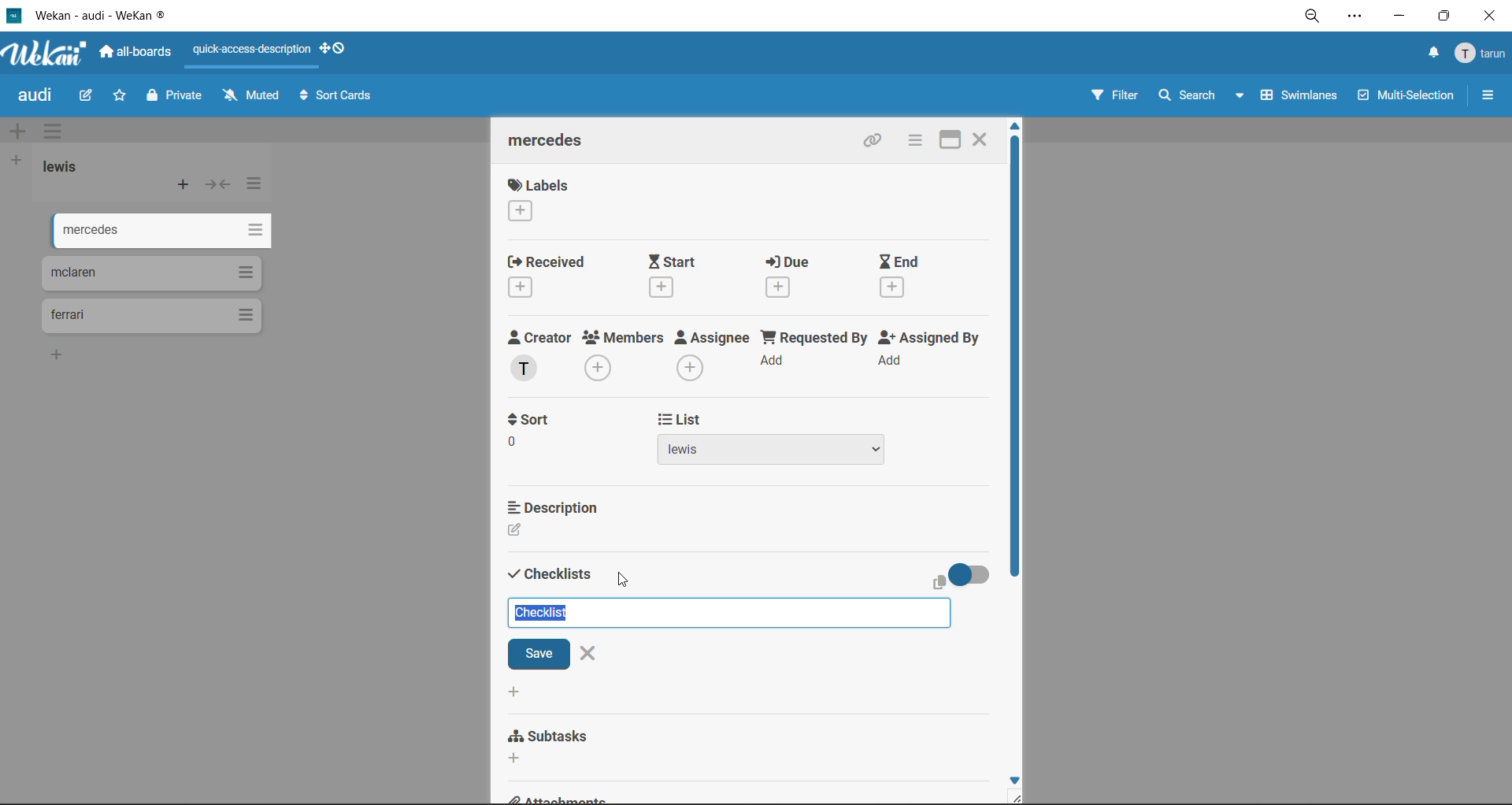 The width and height of the screenshot is (1512, 805). What do you see at coordinates (550, 572) in the screenshot?
I see `checklists` at bounding box center [550, 572].